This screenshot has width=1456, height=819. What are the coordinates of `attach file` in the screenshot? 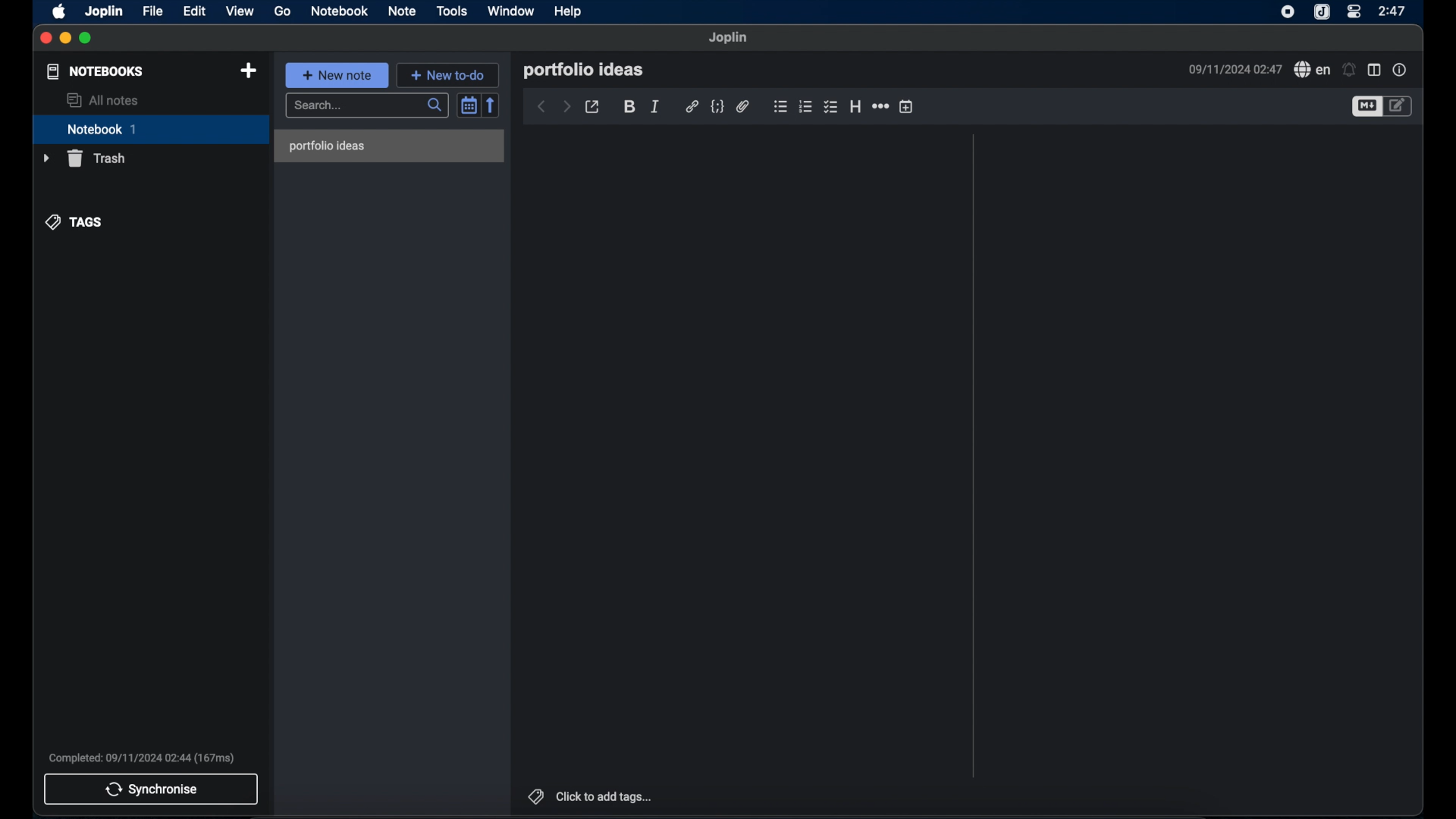 It's located at (742, 107).